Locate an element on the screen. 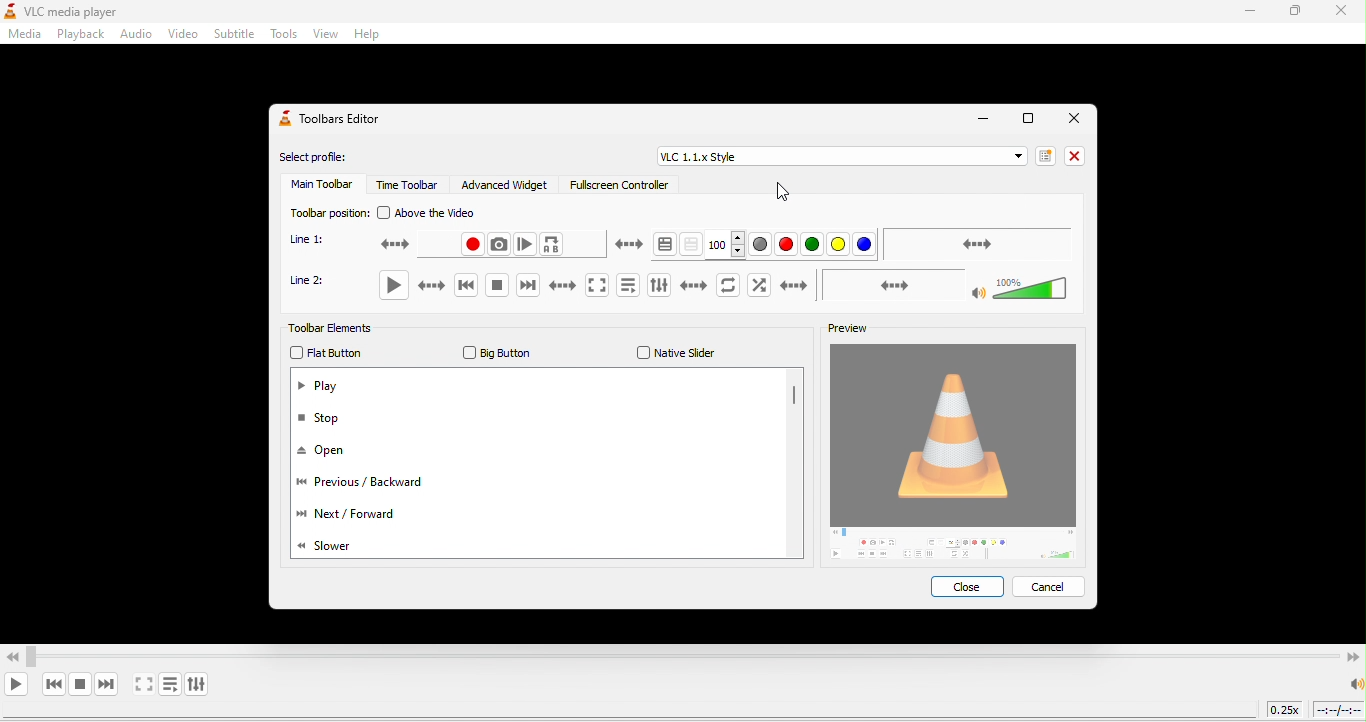  stop is located at coordinates (329, 419).